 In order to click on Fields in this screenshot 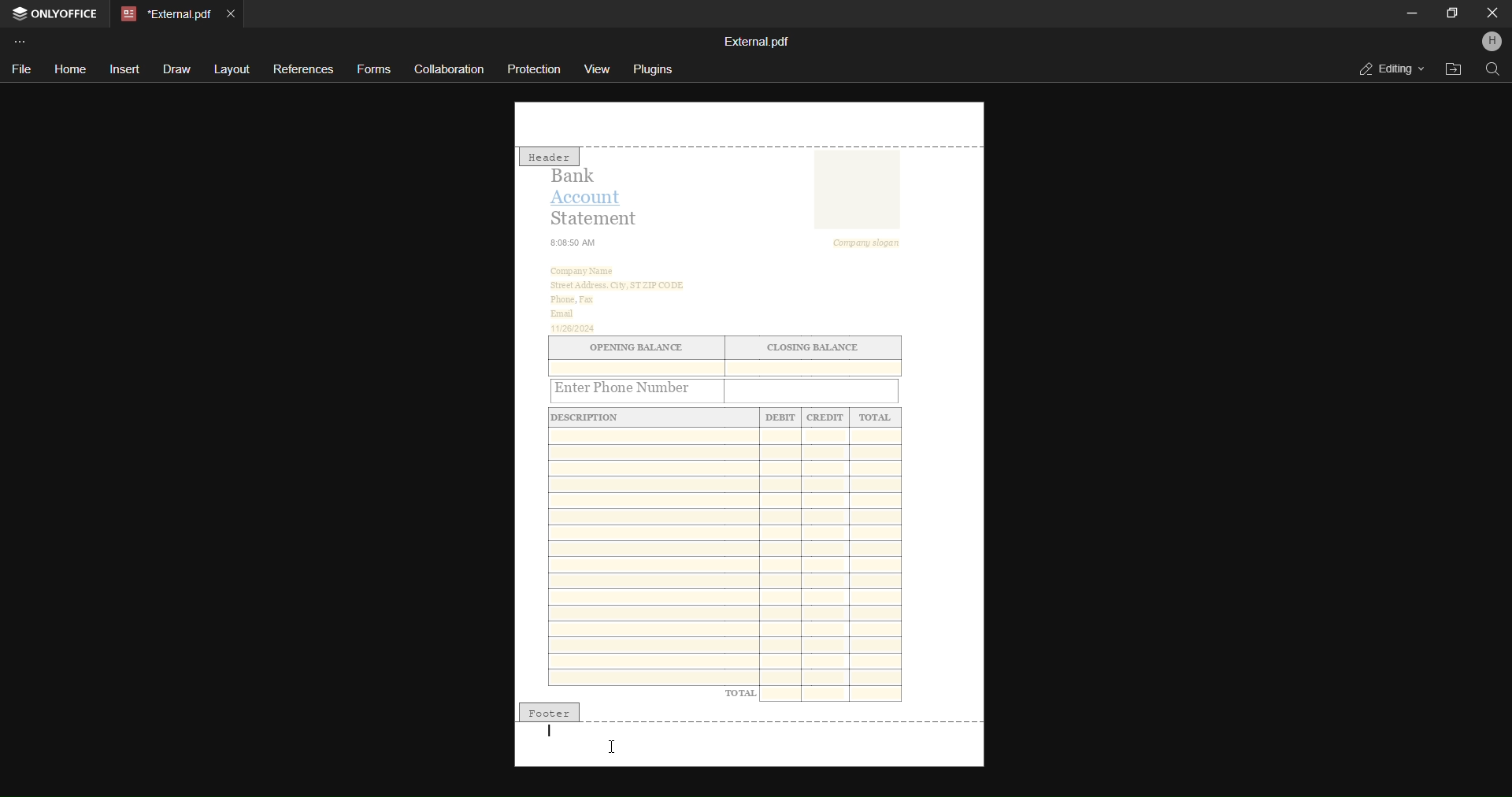, I will do `click(724, 555)`.